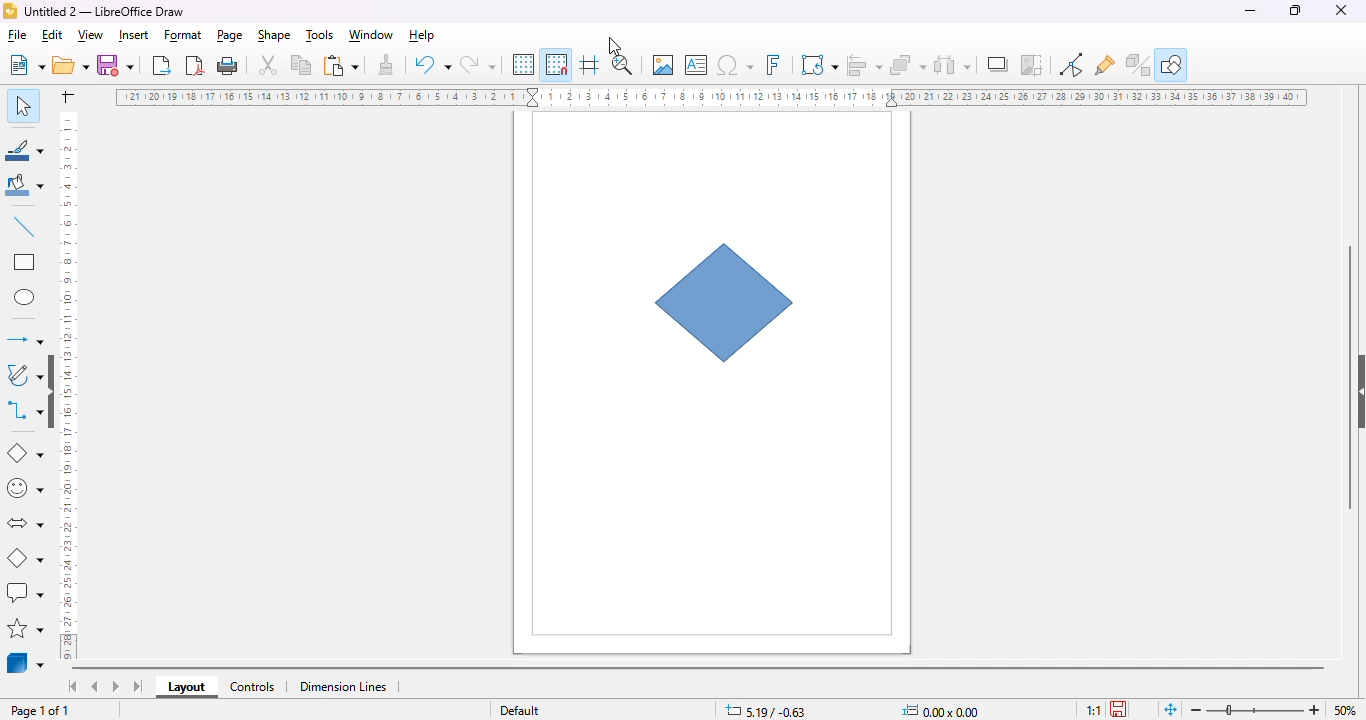 The image size is (1366, 720). What do you see at coordinates (53, 35) in the screenshot?
I see `edit` at bounding box center [53, 35].